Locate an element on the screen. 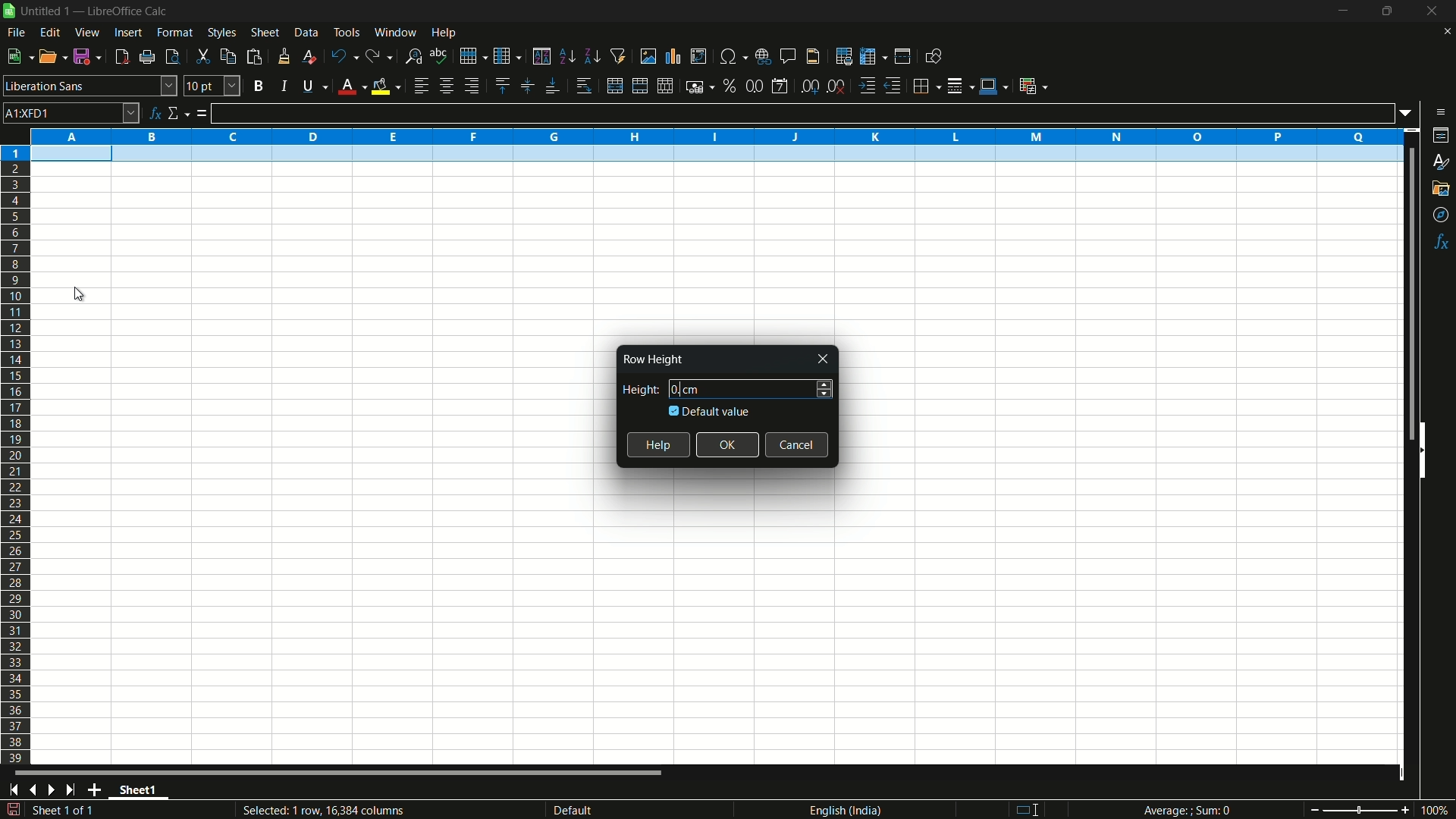 The width and height of the screenshot is (1456, 819). font size is located at coordinates (212, 86).